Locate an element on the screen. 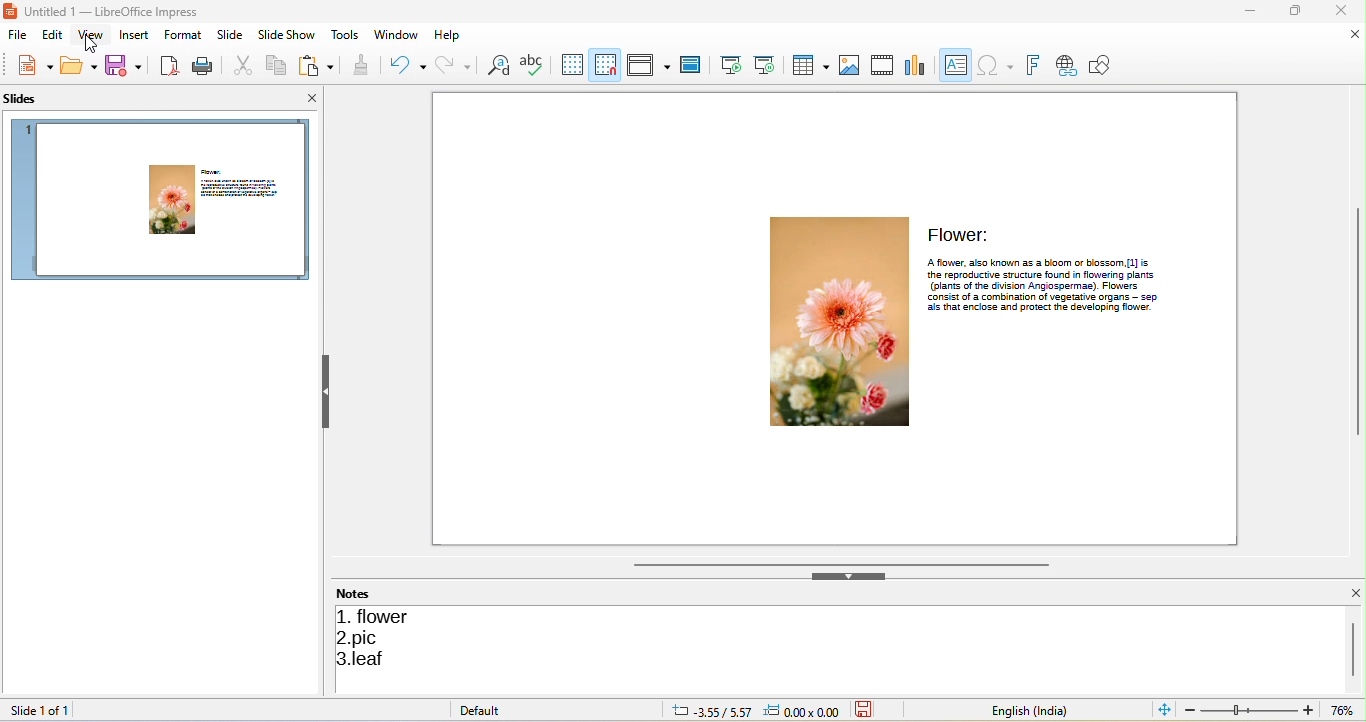  current zoom is located at coordinates (1347, 710).